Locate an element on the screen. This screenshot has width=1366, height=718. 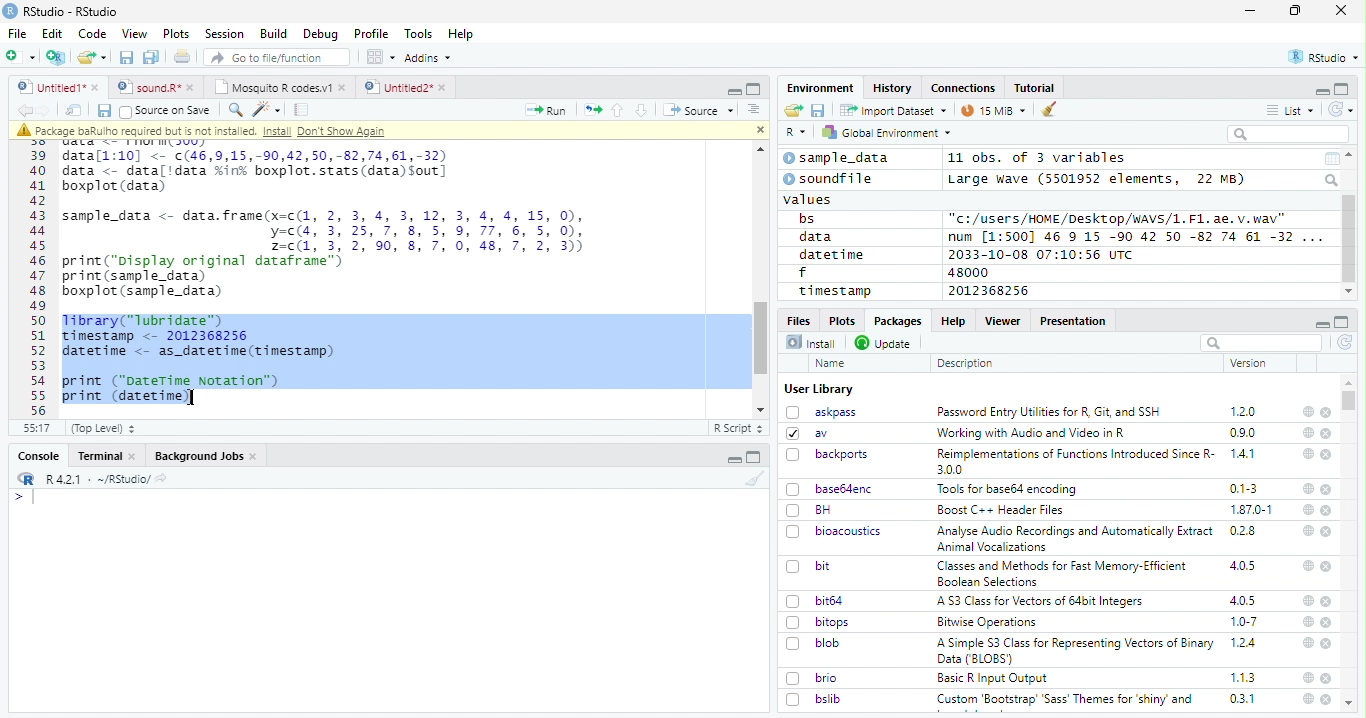
Mosquito R codes.v1 is located at coordinates (279, 87).